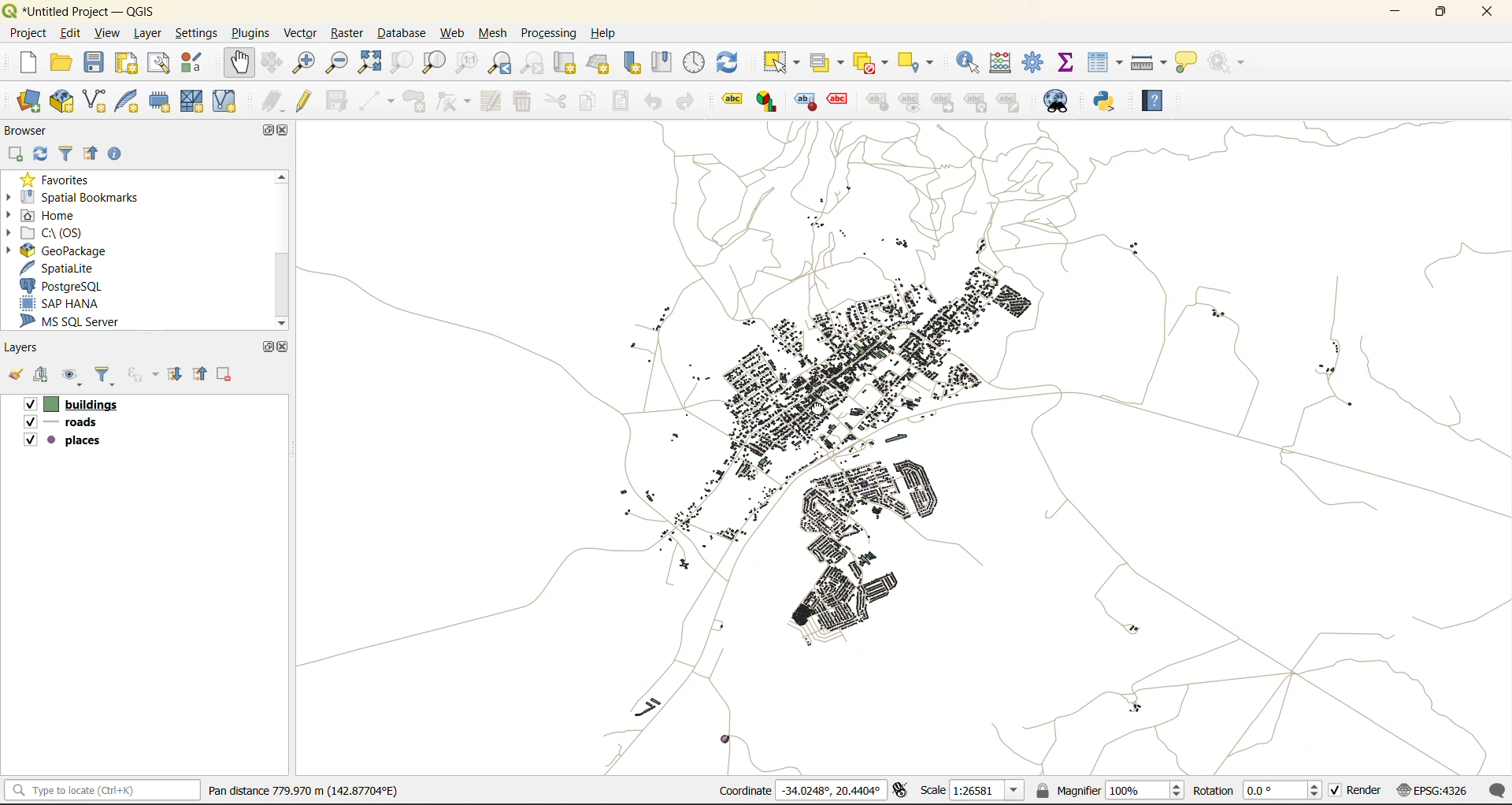 The image size is (1512, 805). What do you see at coordinates (655, 102) in the screenshot?
I see `undo` at bounding box center [655, 102].